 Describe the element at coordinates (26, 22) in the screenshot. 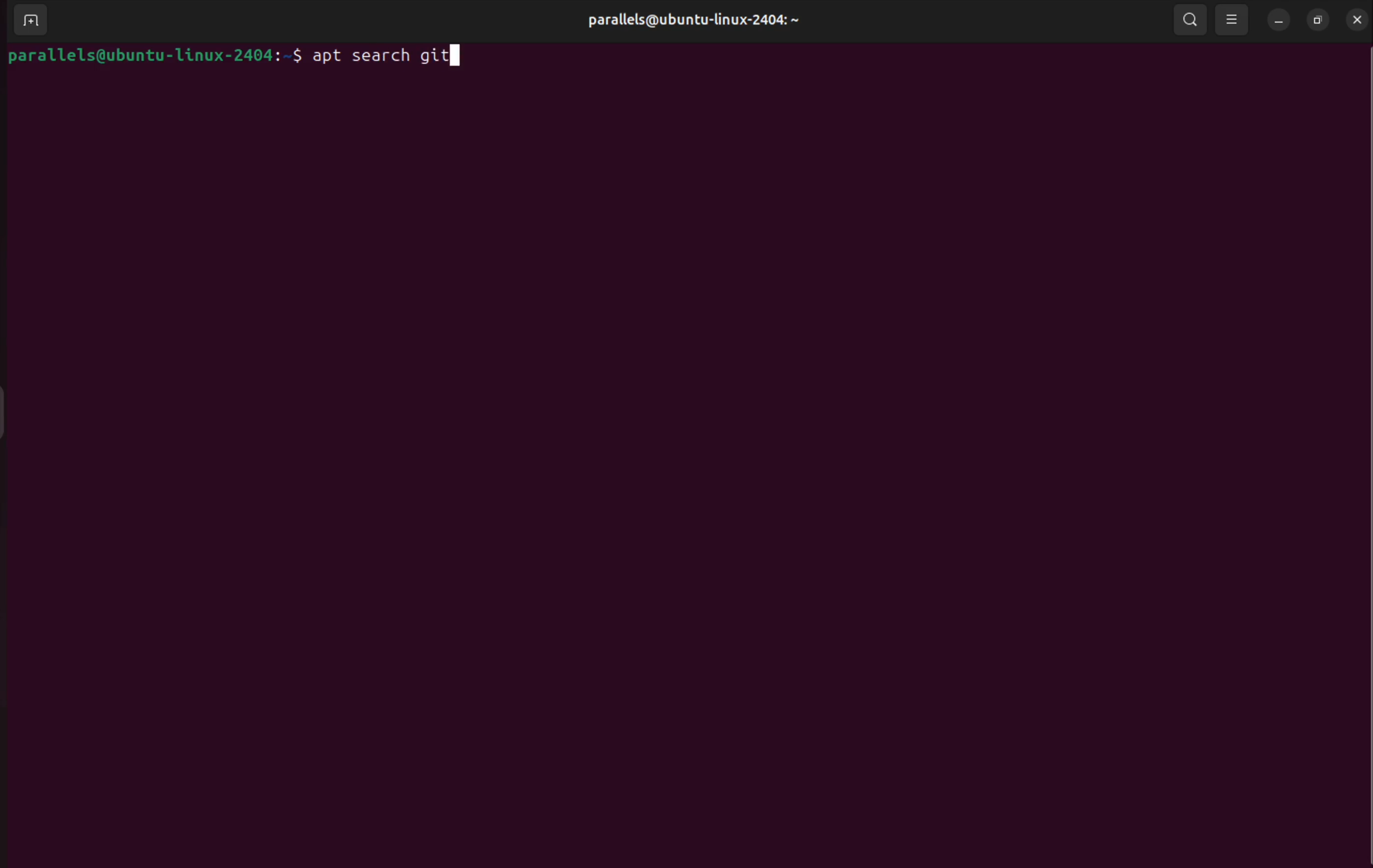

I see `add terminal` at that location.